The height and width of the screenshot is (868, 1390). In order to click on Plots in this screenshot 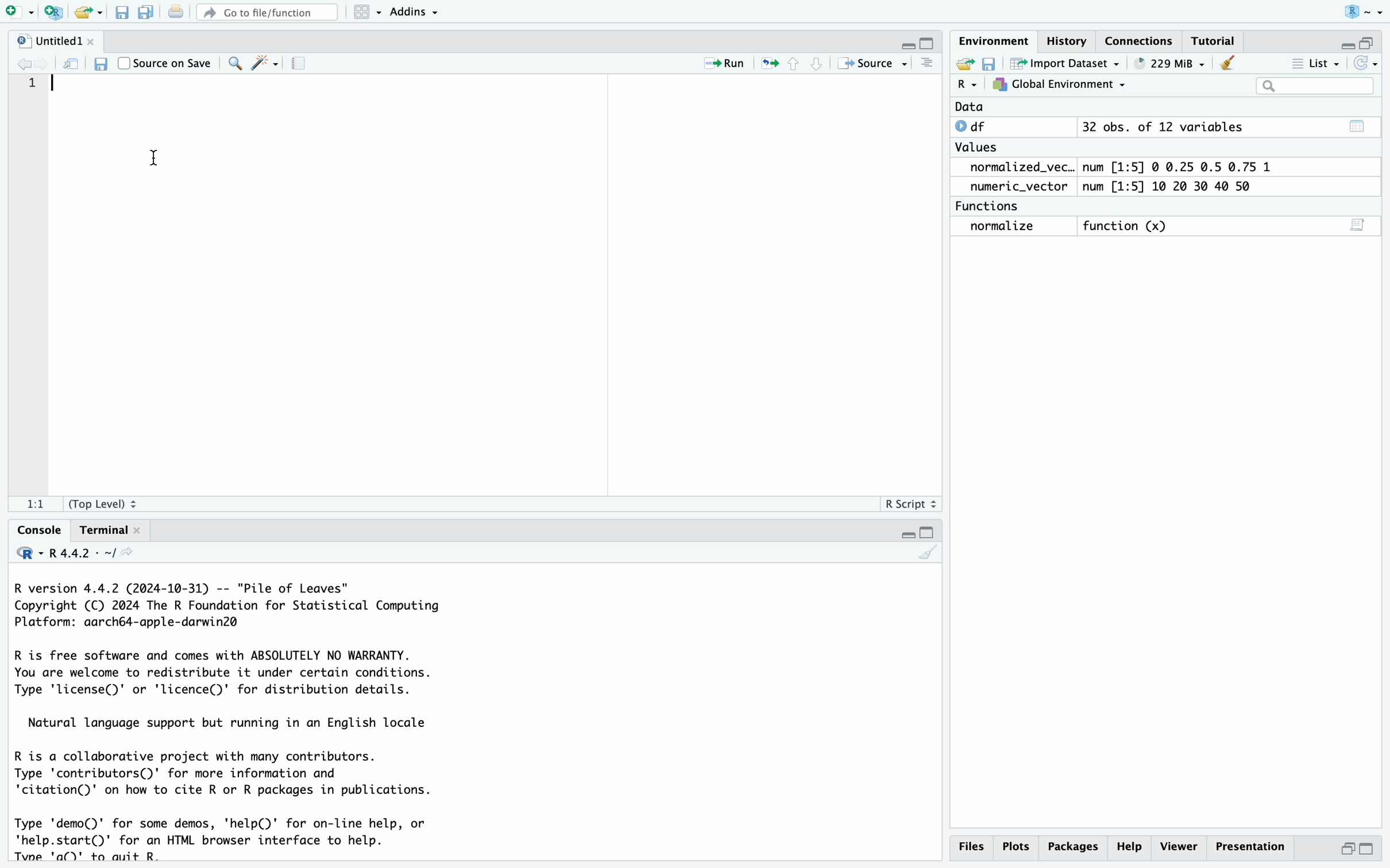, I will do `click(1015, 847)`.